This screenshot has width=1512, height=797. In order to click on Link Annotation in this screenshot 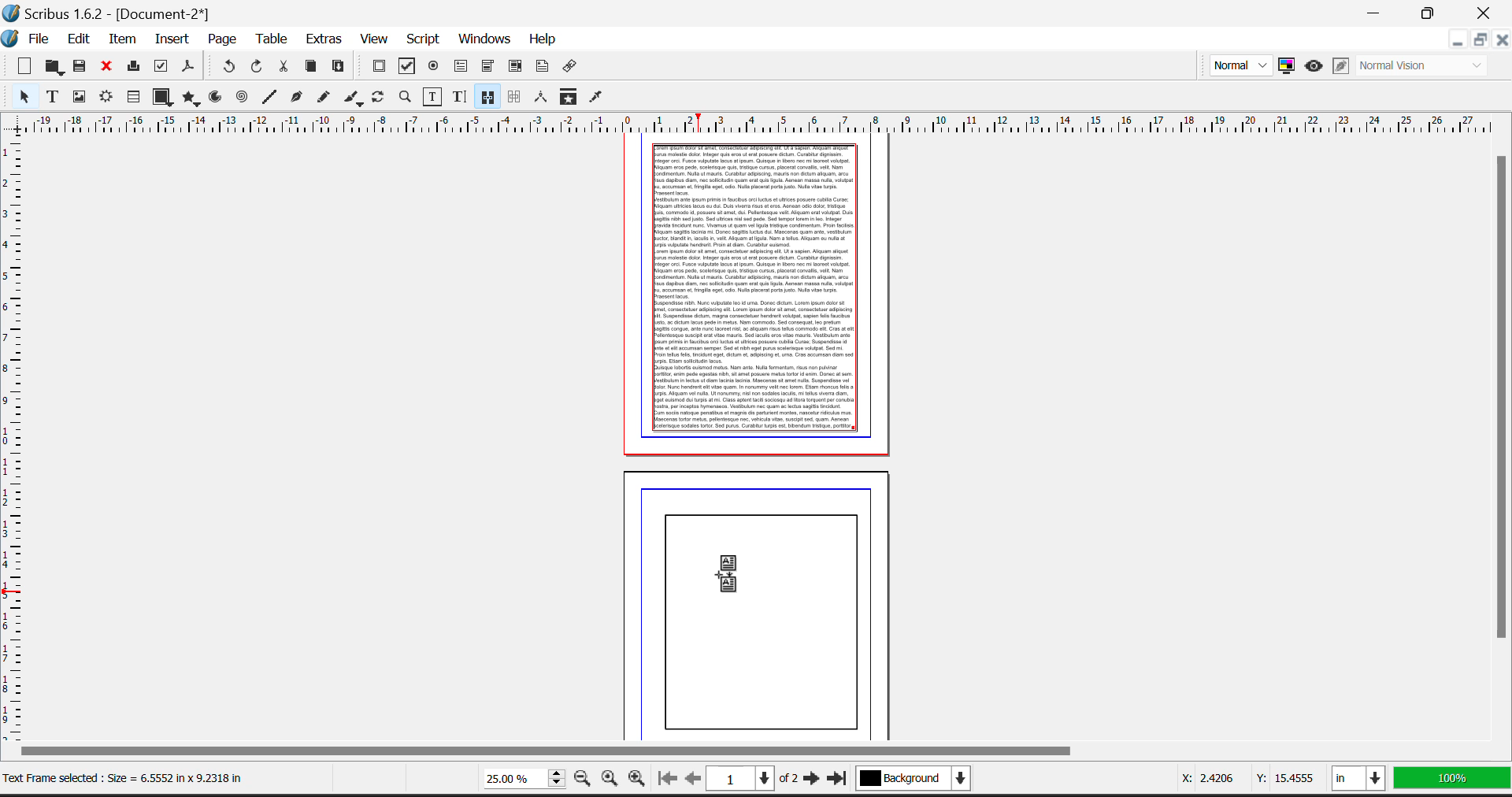, I will do `click(573, 69)`.